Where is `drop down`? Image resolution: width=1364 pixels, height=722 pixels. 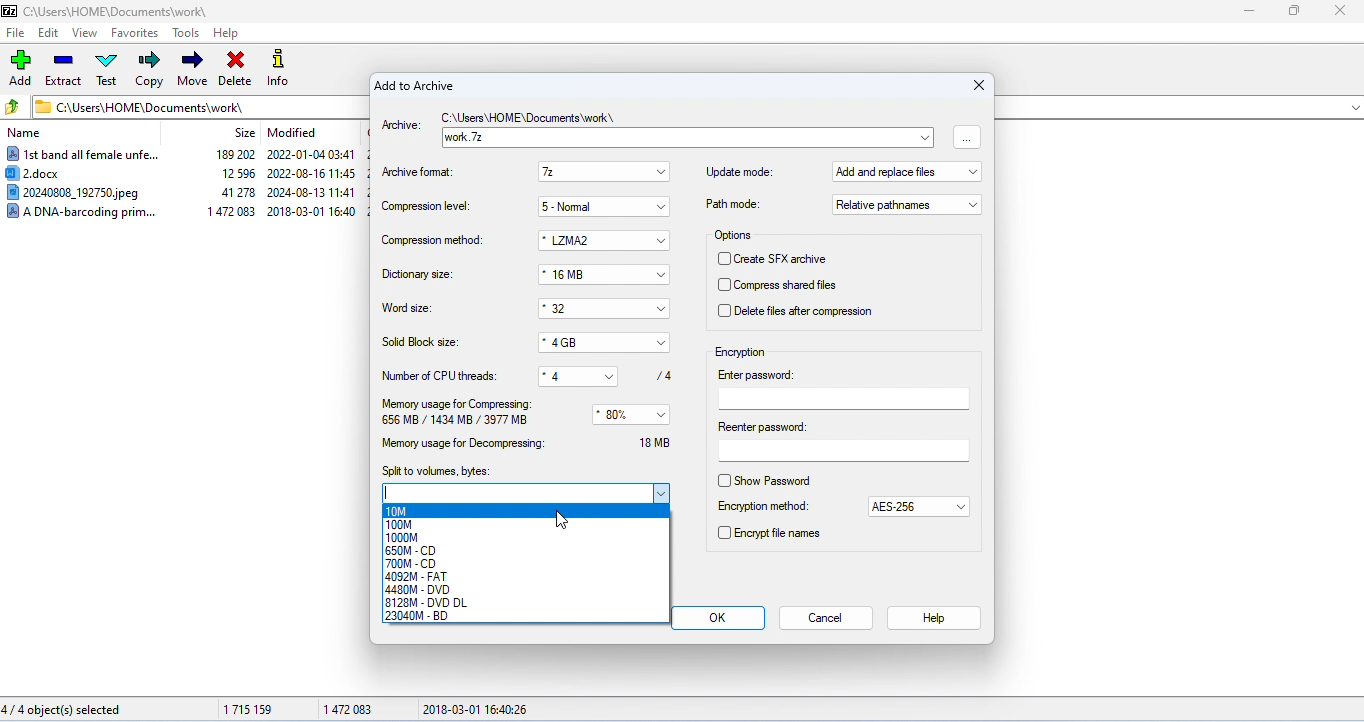
drop down is located at coordinates (926, 136).